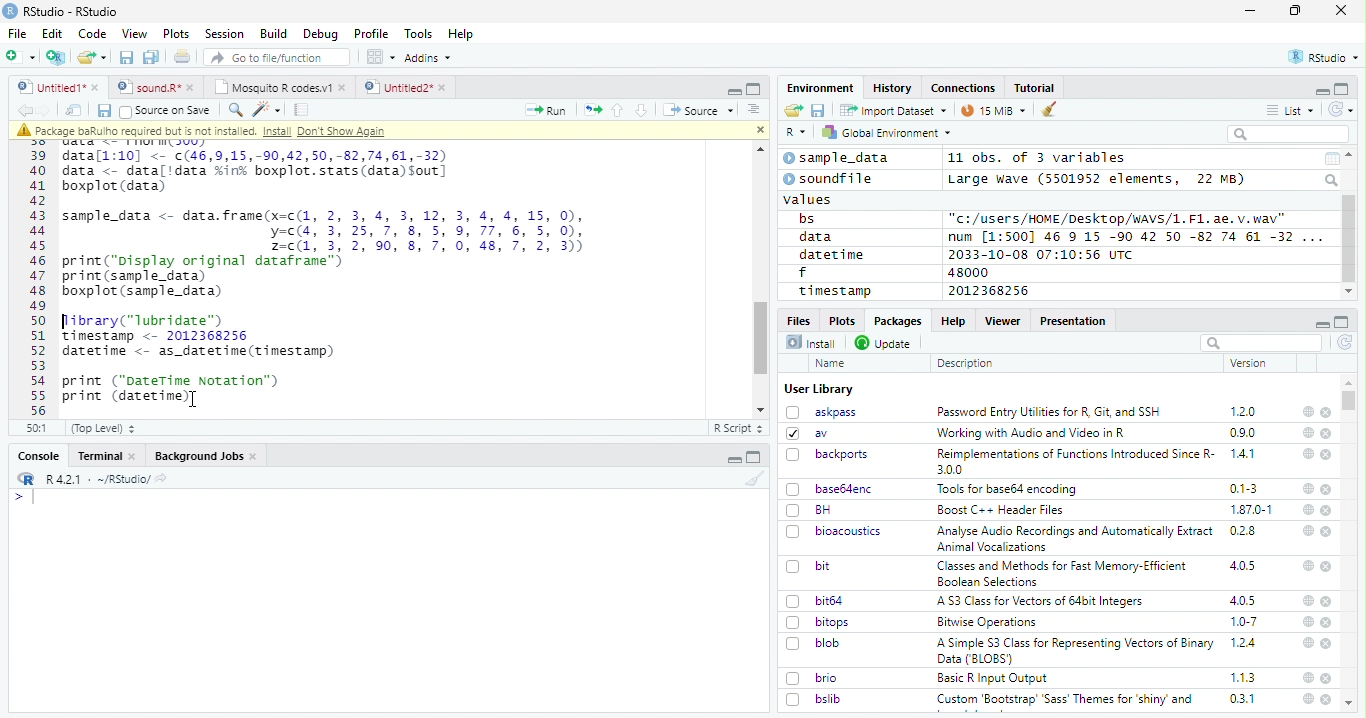 The image size is (1366, 718). Describe the element at coordinates (428, 58) in the screenshot. I see `Addins` at that location.